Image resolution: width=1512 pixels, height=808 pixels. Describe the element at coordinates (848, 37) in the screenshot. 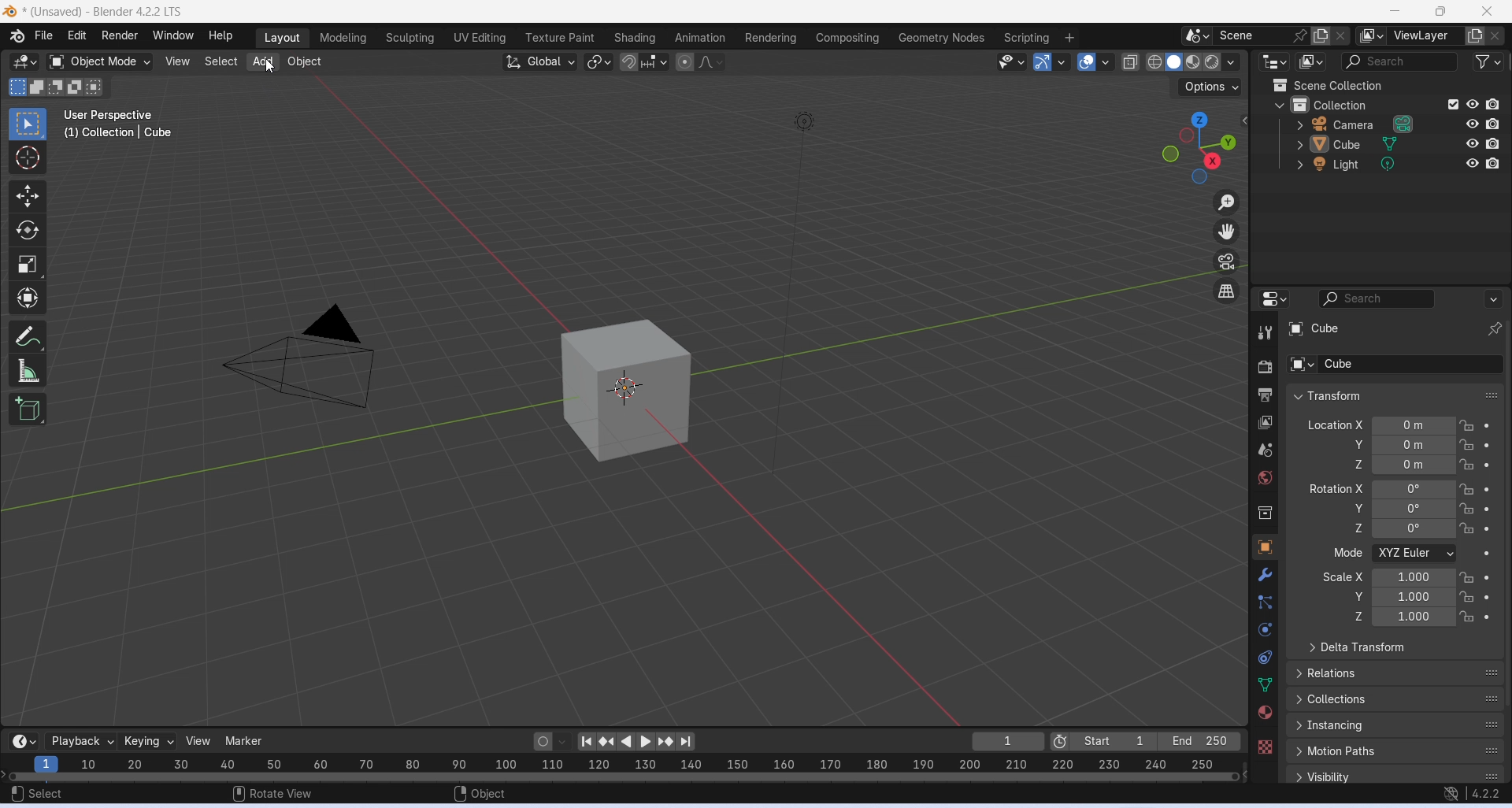

I see `Compositing` at that location.